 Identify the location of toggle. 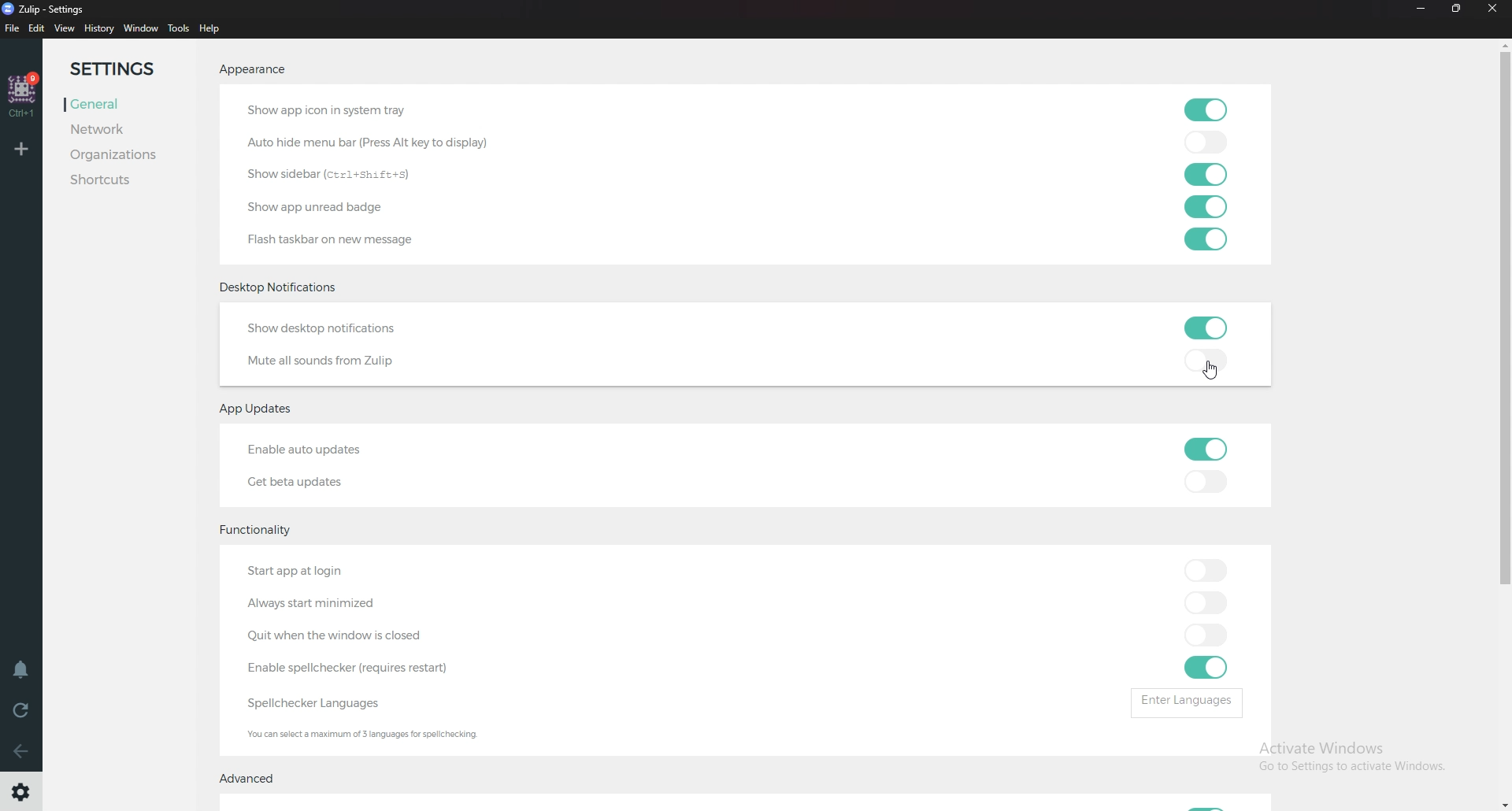
(1203, 206).